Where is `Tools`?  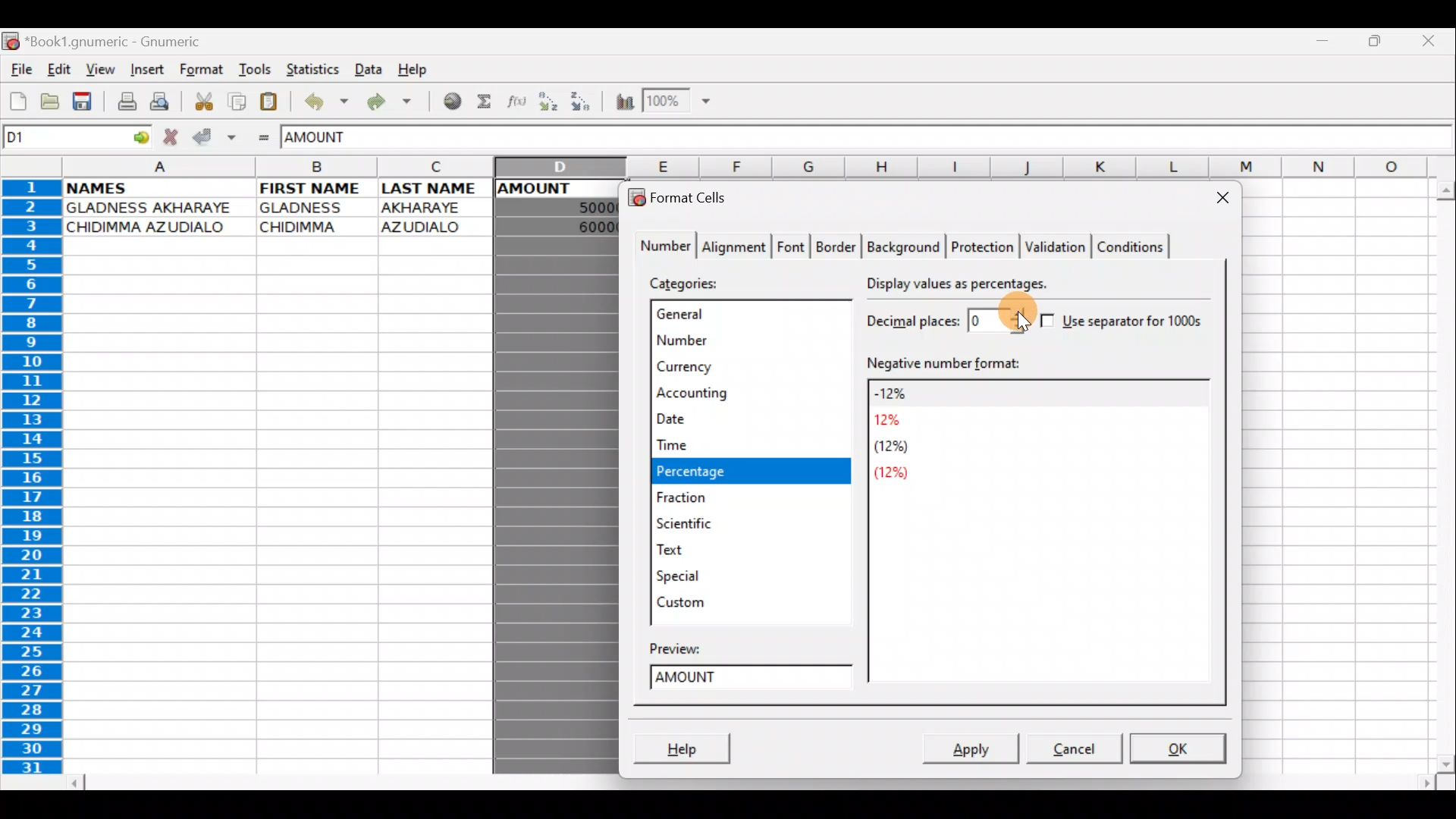
Tools is located at coordinates (250, 71).